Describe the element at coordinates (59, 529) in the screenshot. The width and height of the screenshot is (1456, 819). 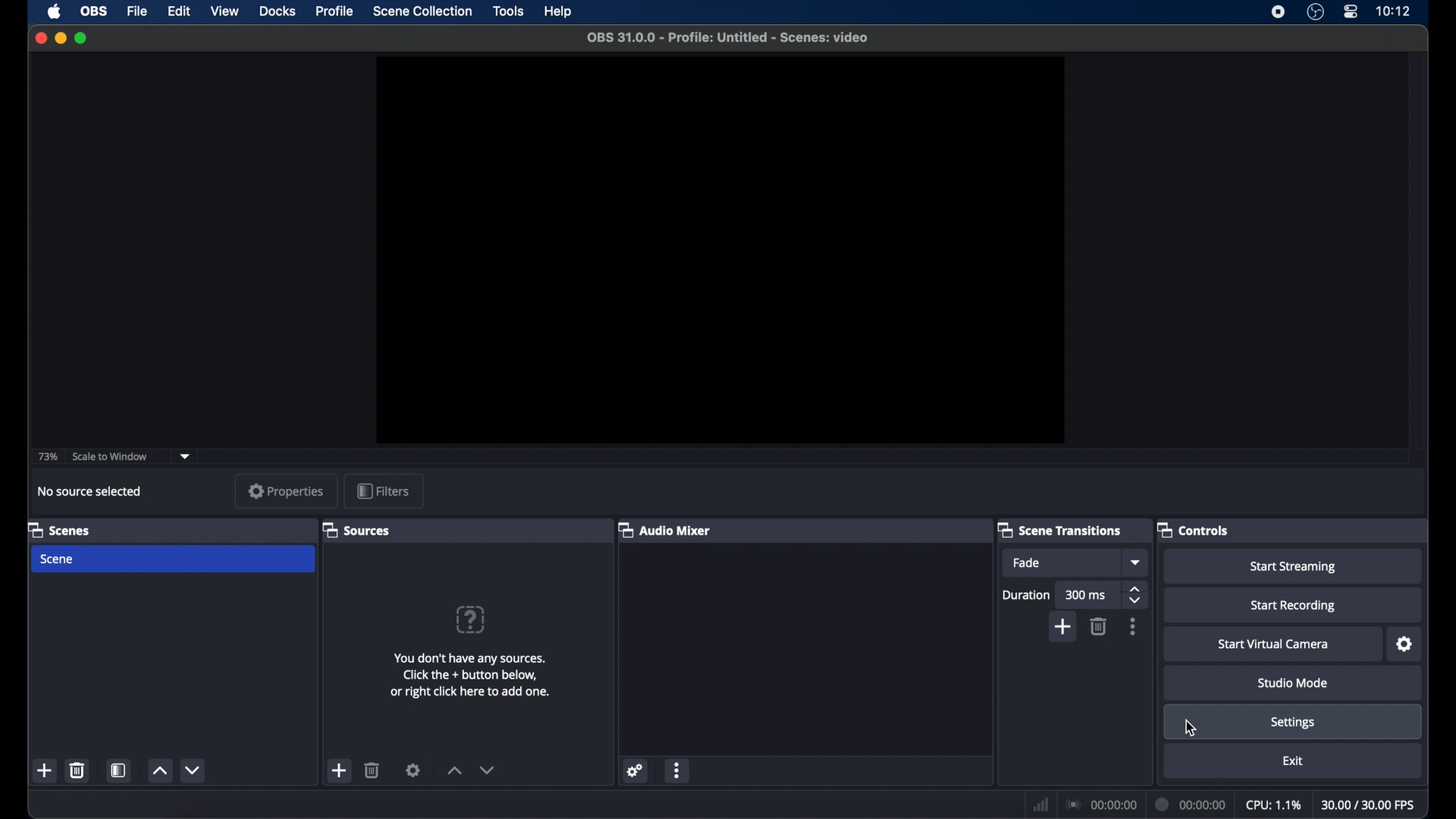
I see `scenes` at that location.